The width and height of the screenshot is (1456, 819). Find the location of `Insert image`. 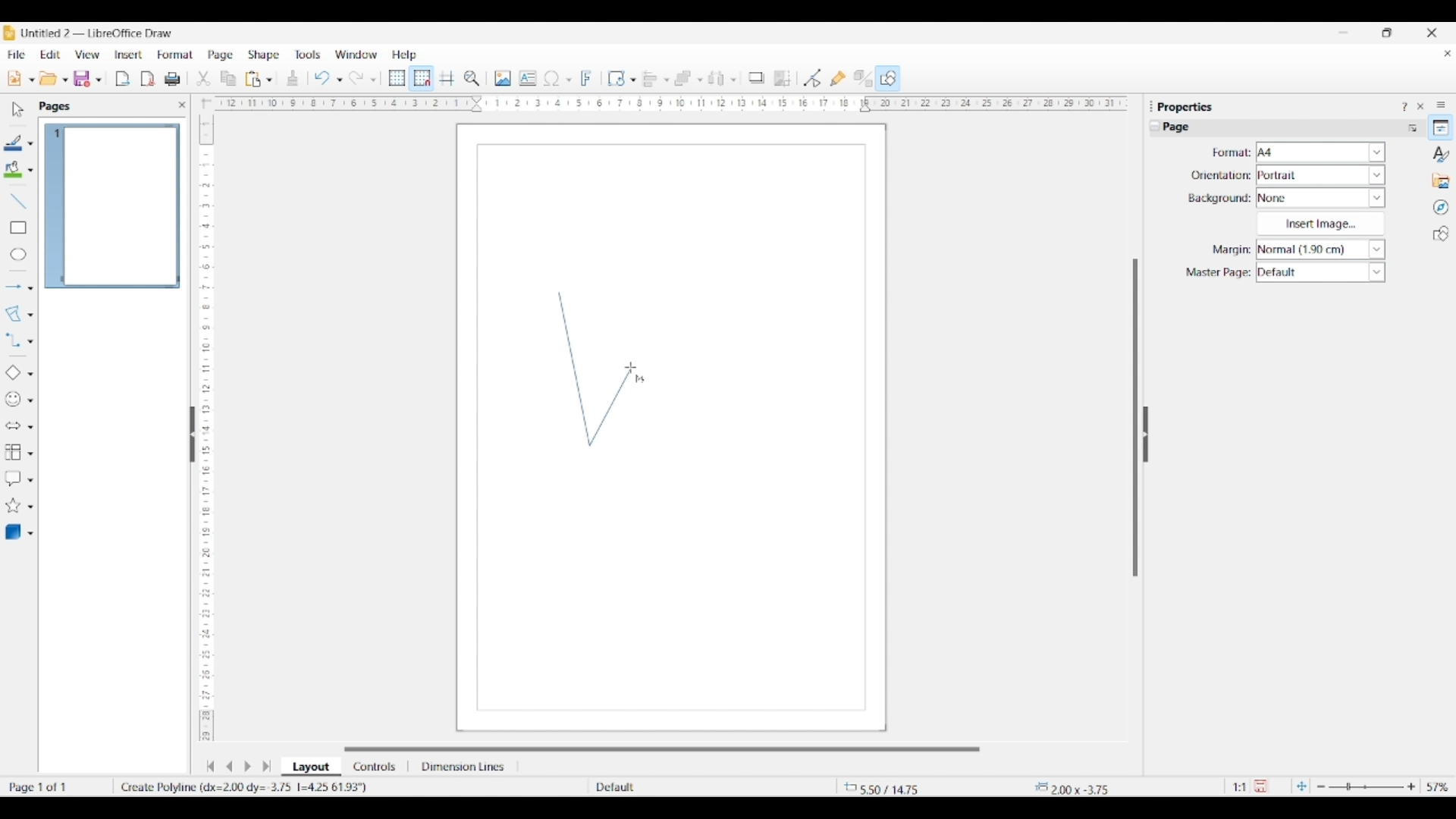

Insert image is located at coordinates (503, 78).